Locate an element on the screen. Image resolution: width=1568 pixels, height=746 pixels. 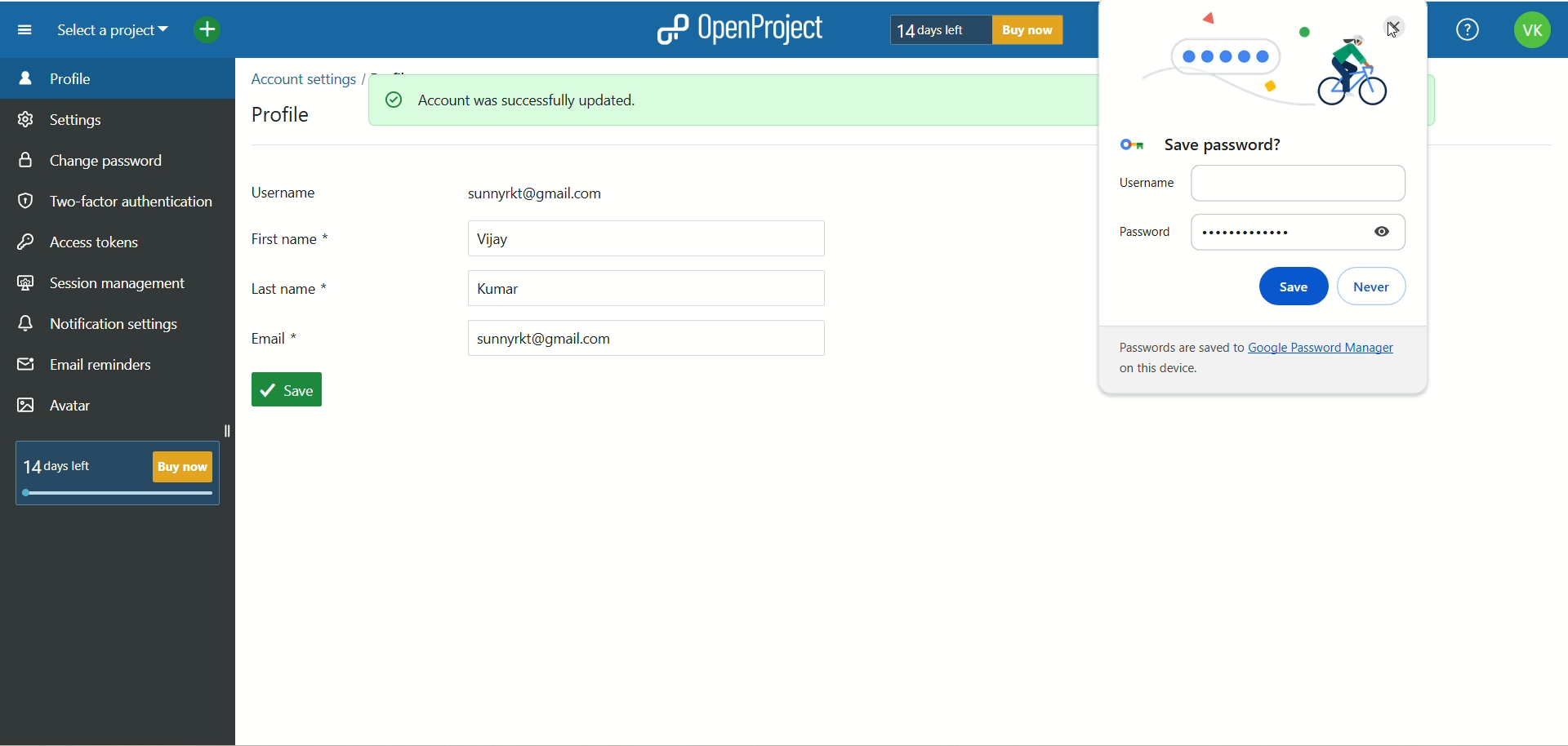
text is located at coordinates (1252, 358).